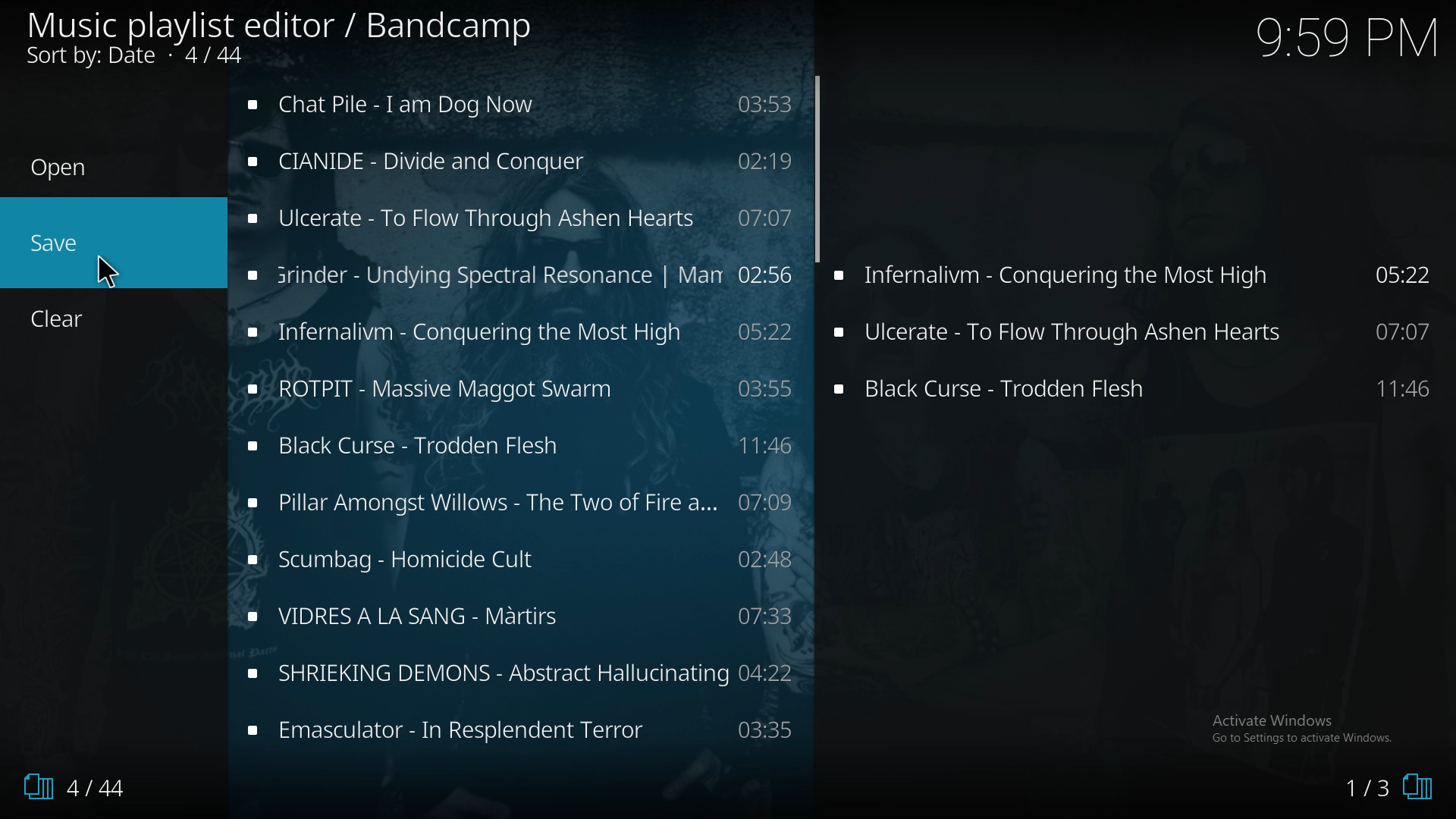  What do you see at coordinates (1303, 726) in the screenshot?
I see `Activate Windows
Go to Settings to activate Windows.` at bounding box center [1303, 726].